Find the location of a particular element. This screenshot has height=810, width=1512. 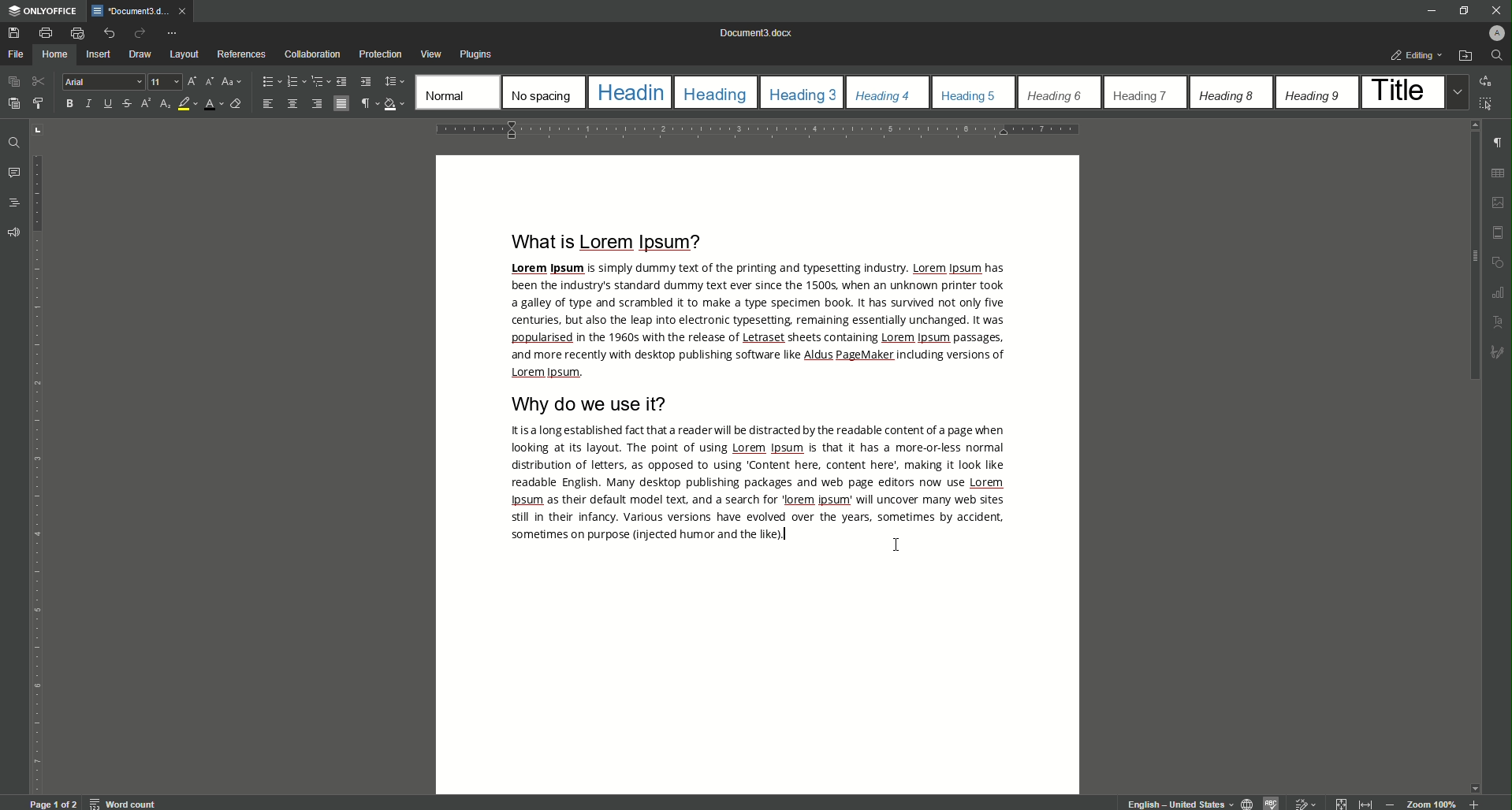

Replace is located at coordinates (1488, 80).